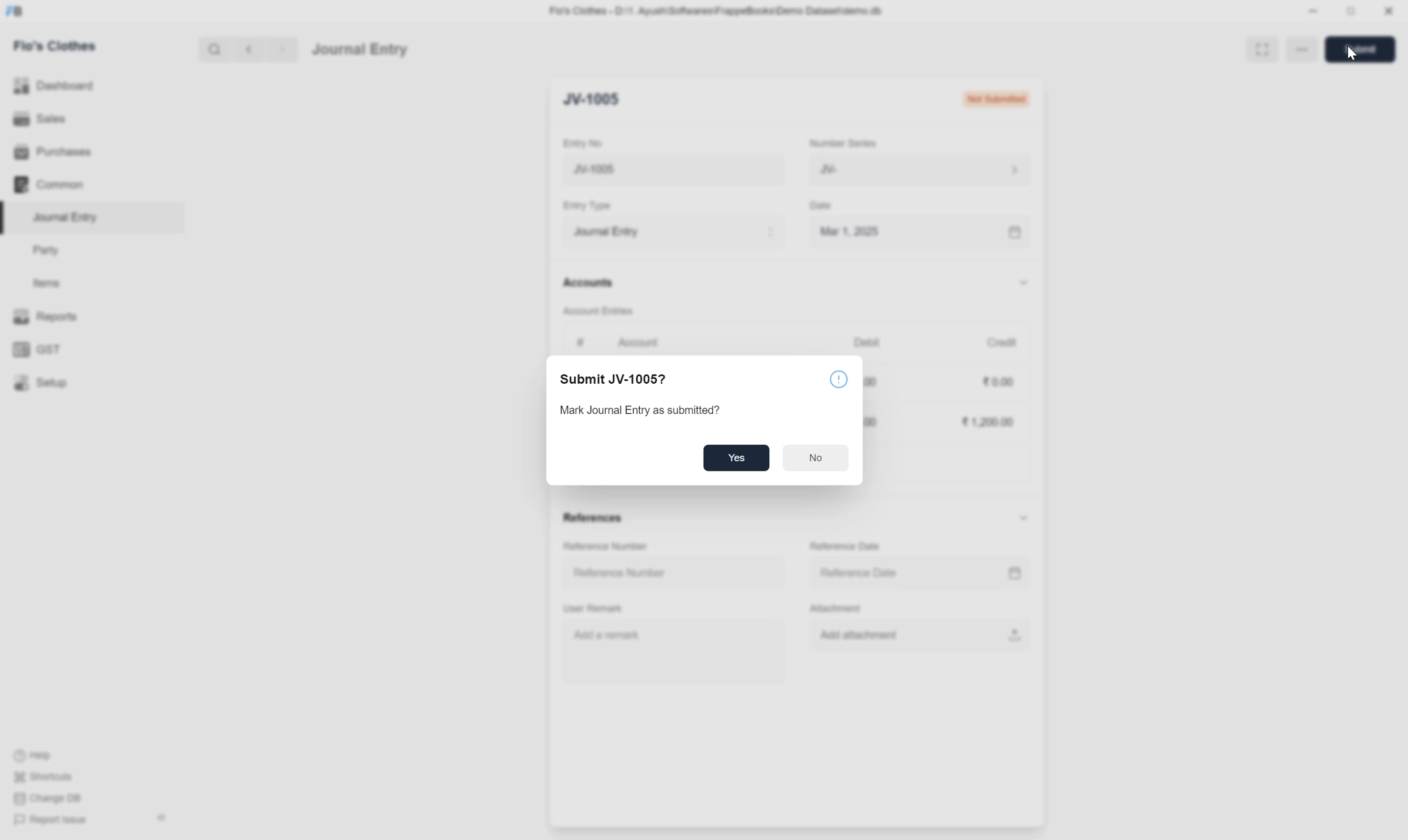 This screenshot has width=1408, height=840. I want to click on #, so click(581, 342).